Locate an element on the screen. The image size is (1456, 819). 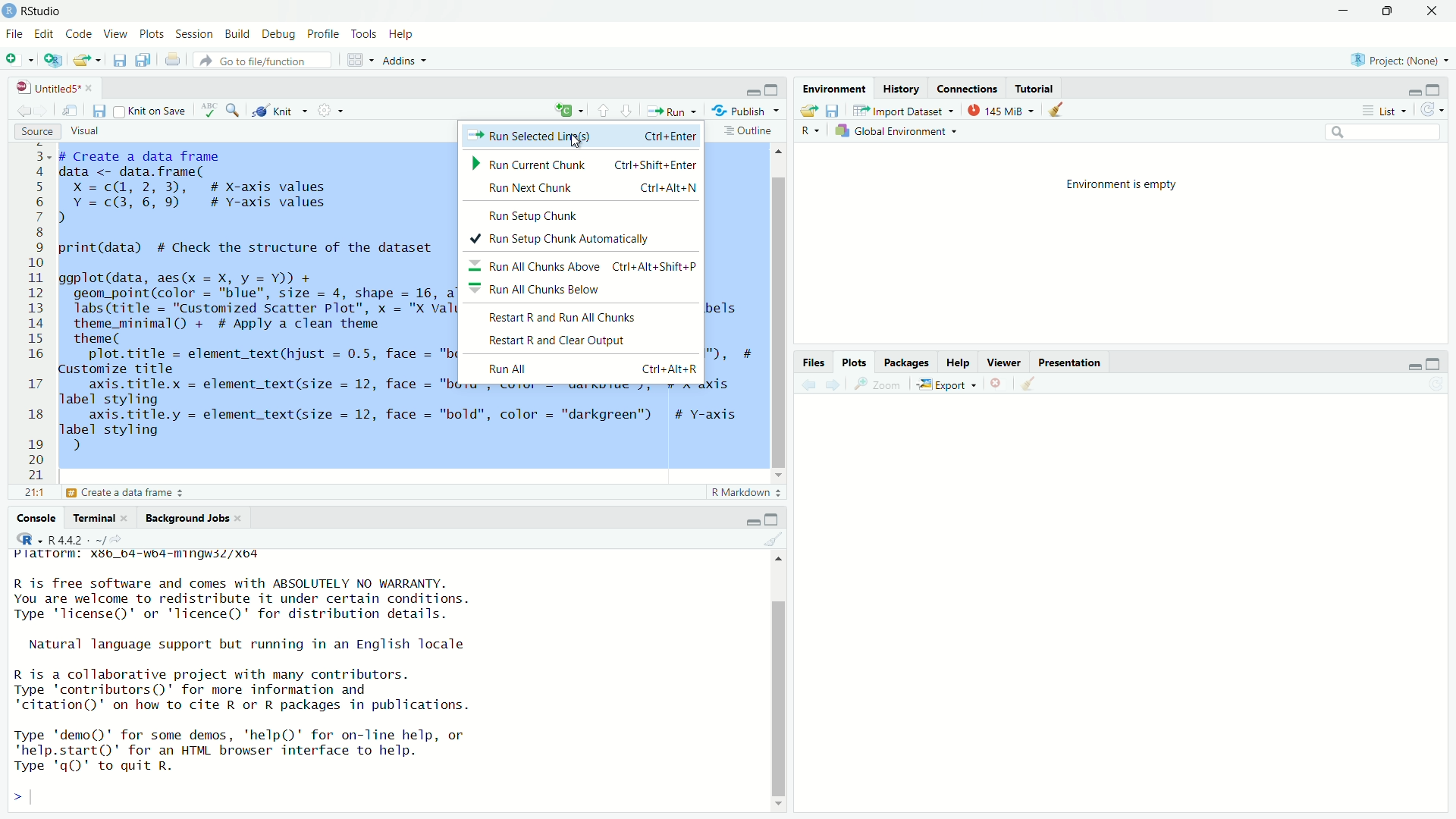
Tools is located at coordinates (364, 35).